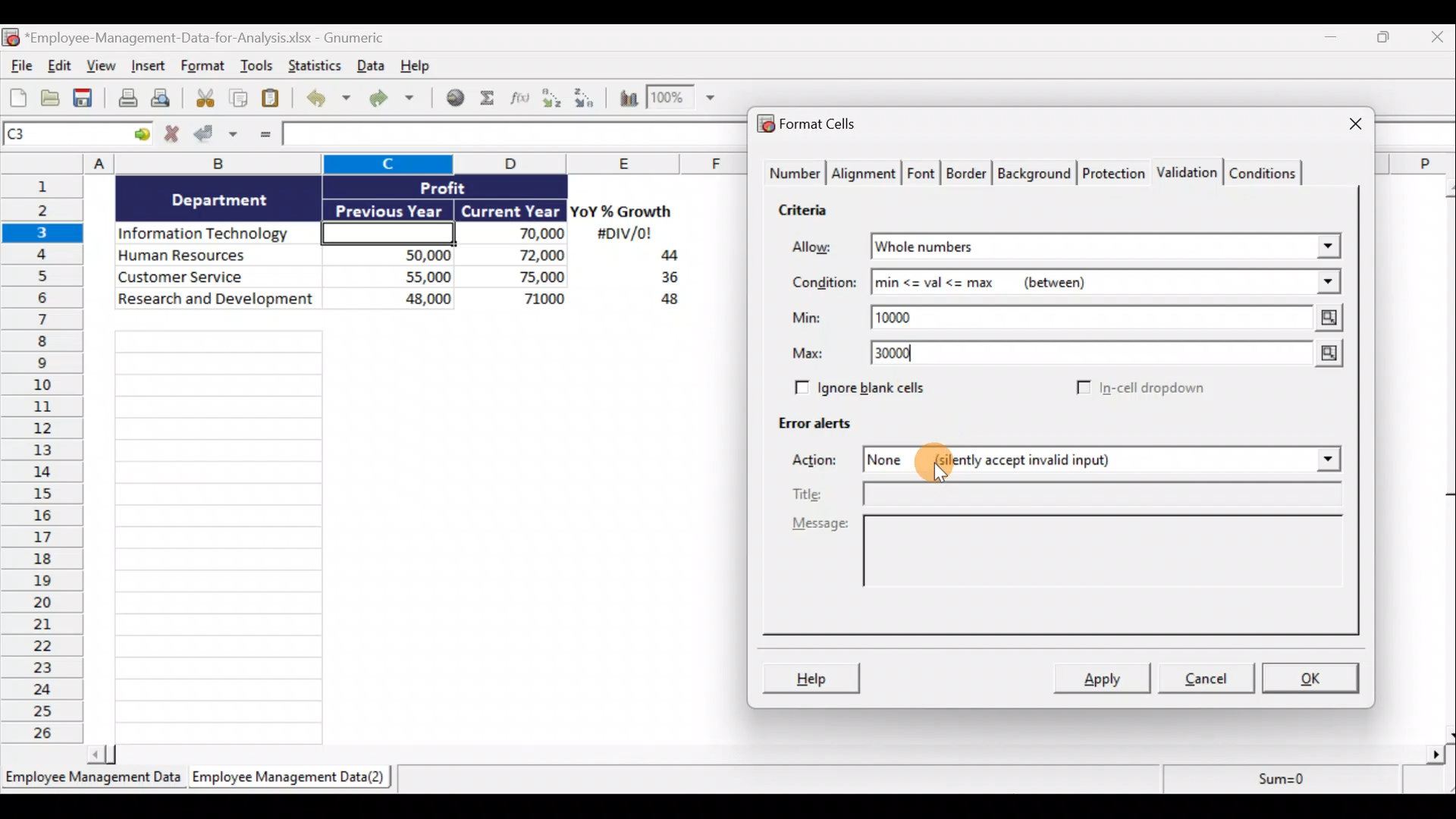 Image resolution: width=1456 pixels, height=819 pixels. Describe the element at coordinates (151, 69) in the screenshot. I see `Insert` at that location.